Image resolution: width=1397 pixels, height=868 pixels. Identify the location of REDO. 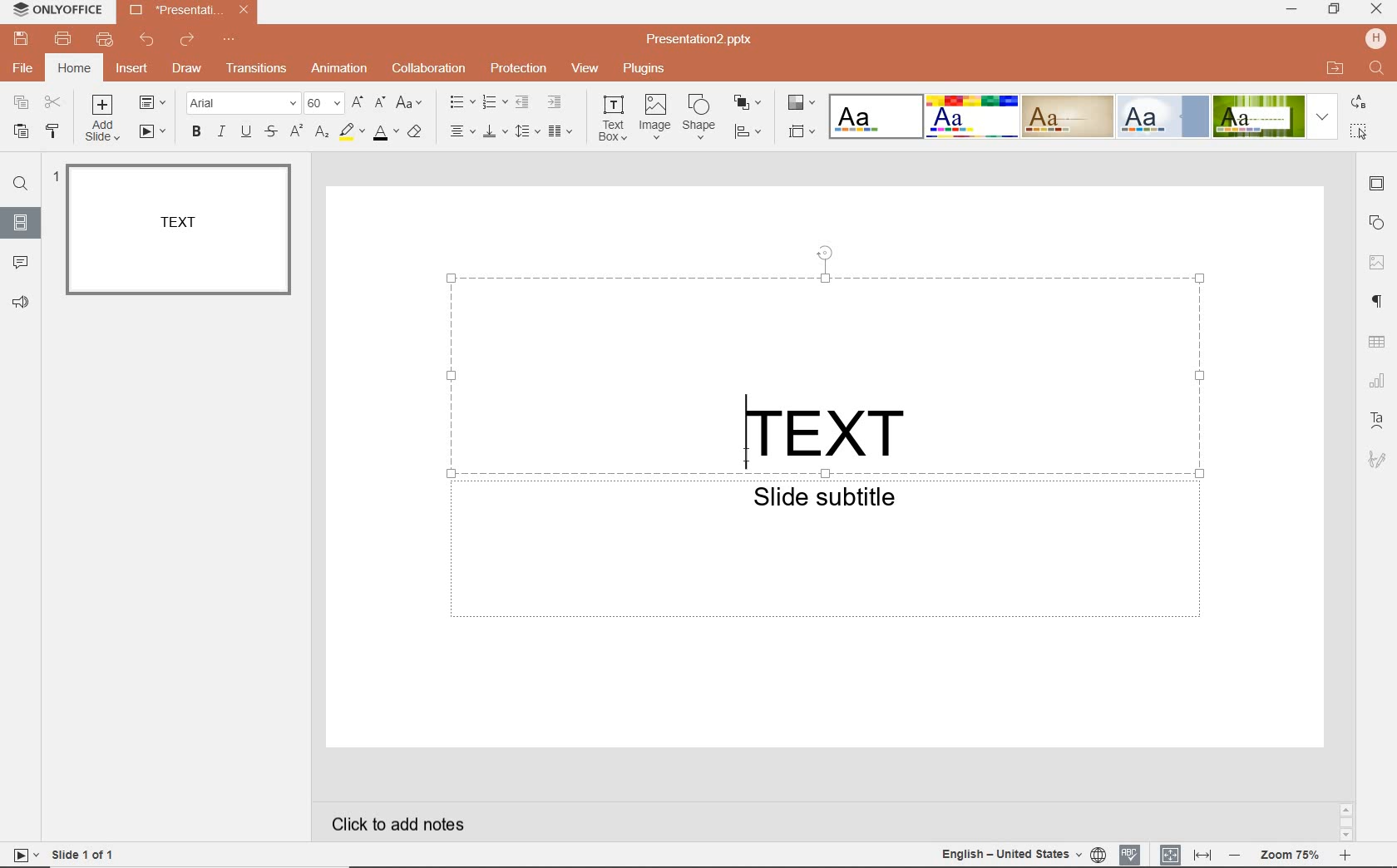
(185, 41).